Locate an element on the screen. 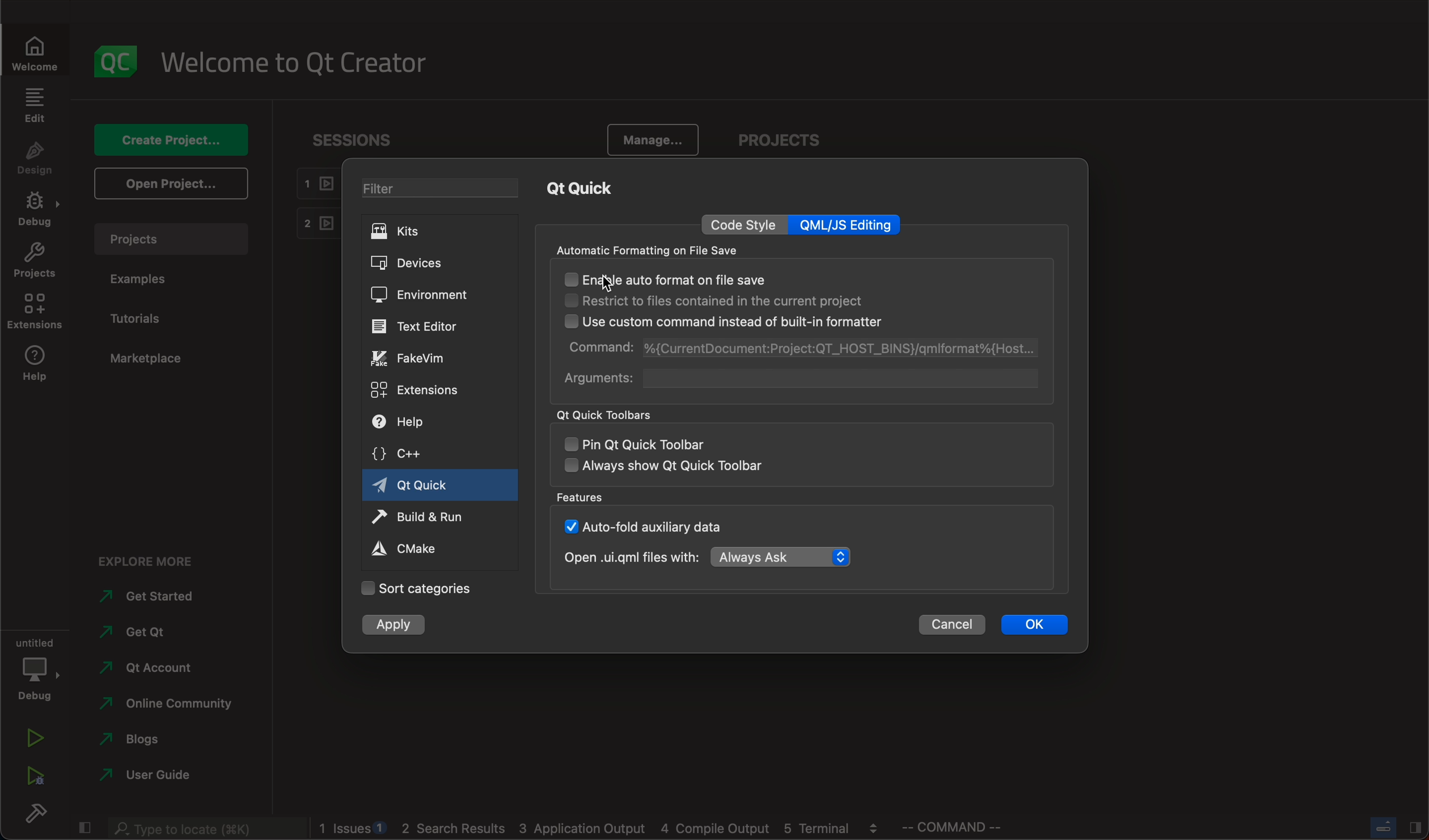 This screenshot has width=1429, height=840. tutorials is located at coordinates (141, 316).